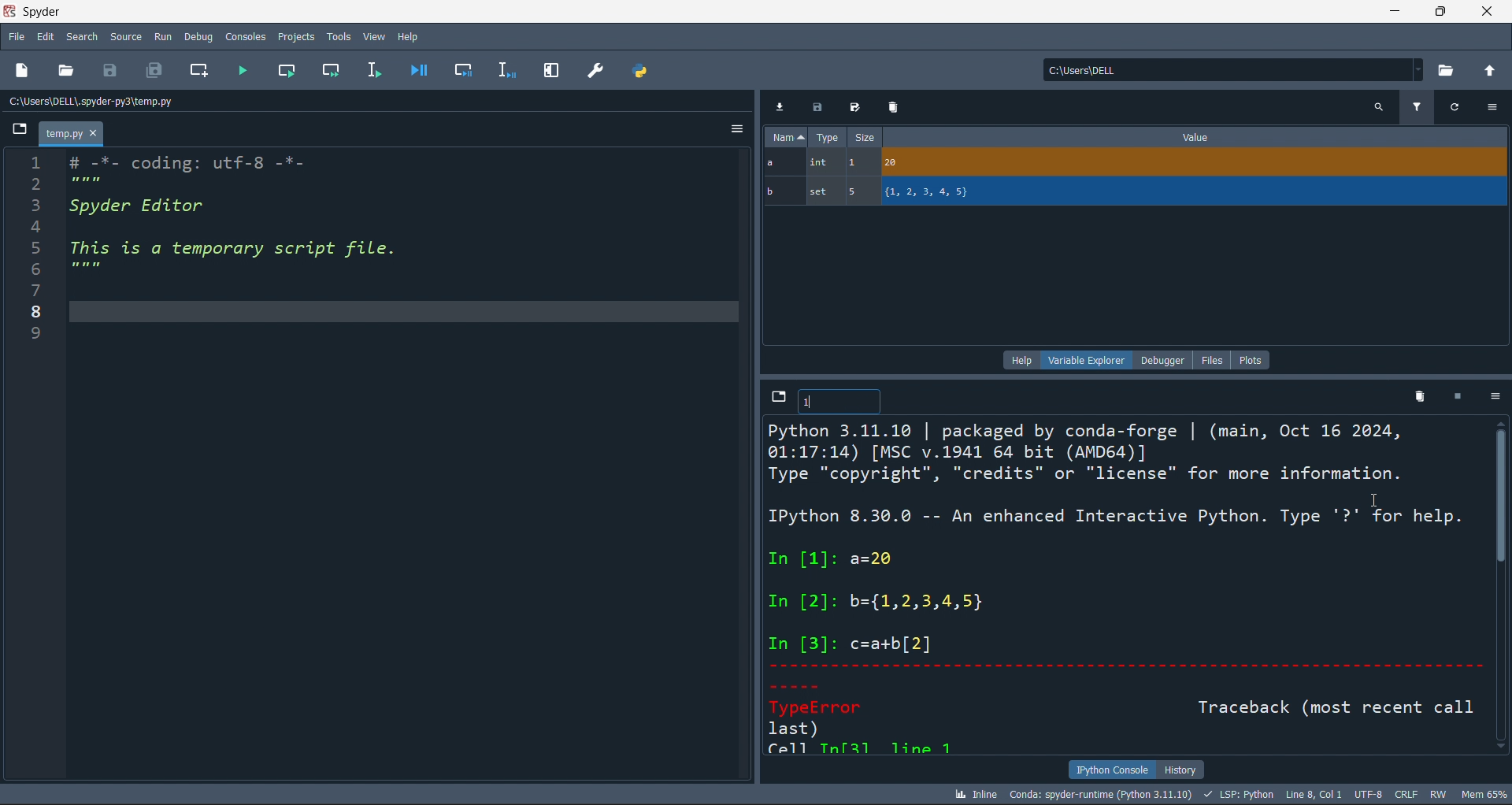 The height and width of the screenshot is (805, 1512). I want to click on minimize, so click(1392, 11).